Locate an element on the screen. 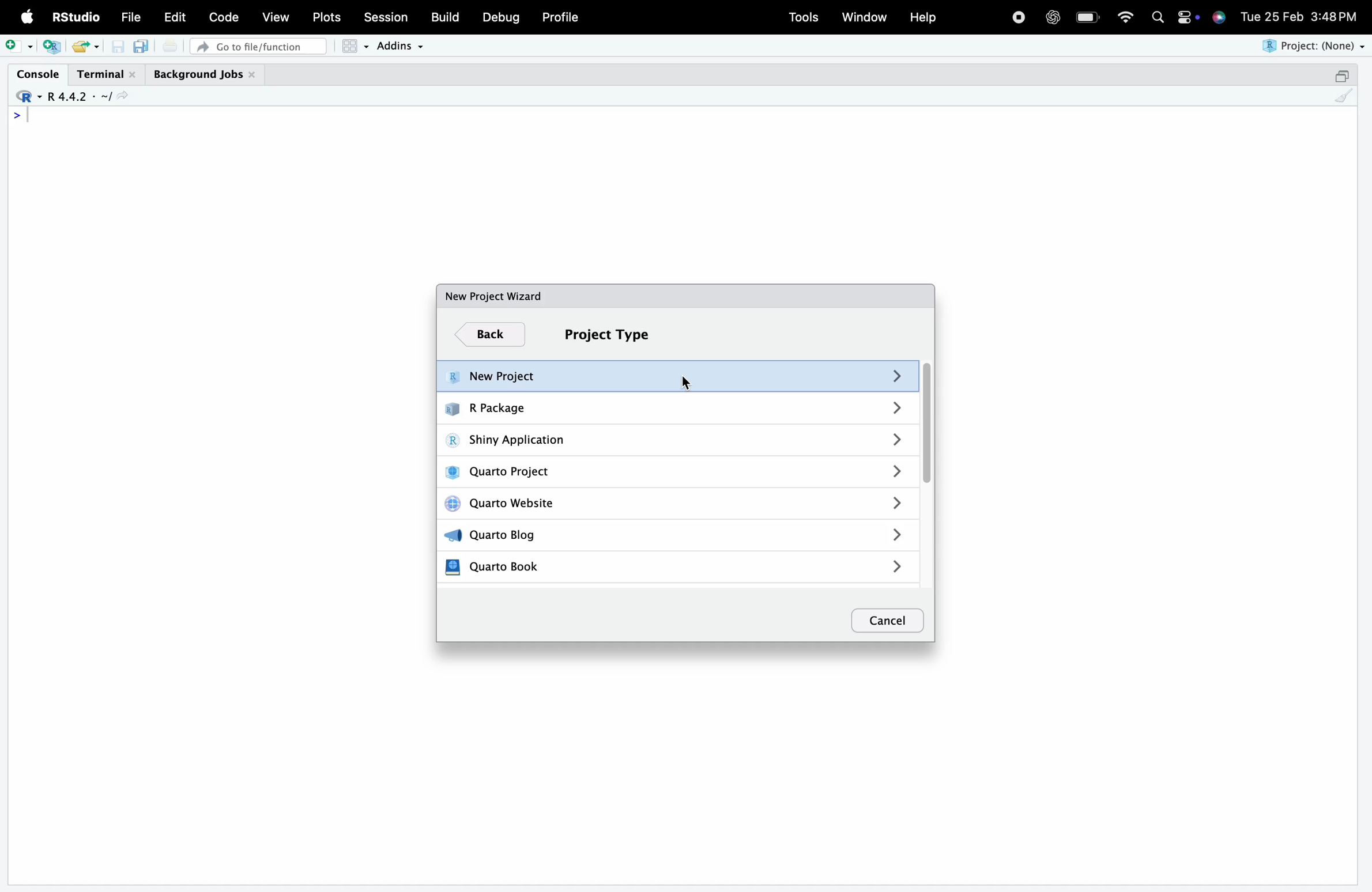 This screenshot has width=1372, height=892. Go to file/function is located at coordinates (258, 47).